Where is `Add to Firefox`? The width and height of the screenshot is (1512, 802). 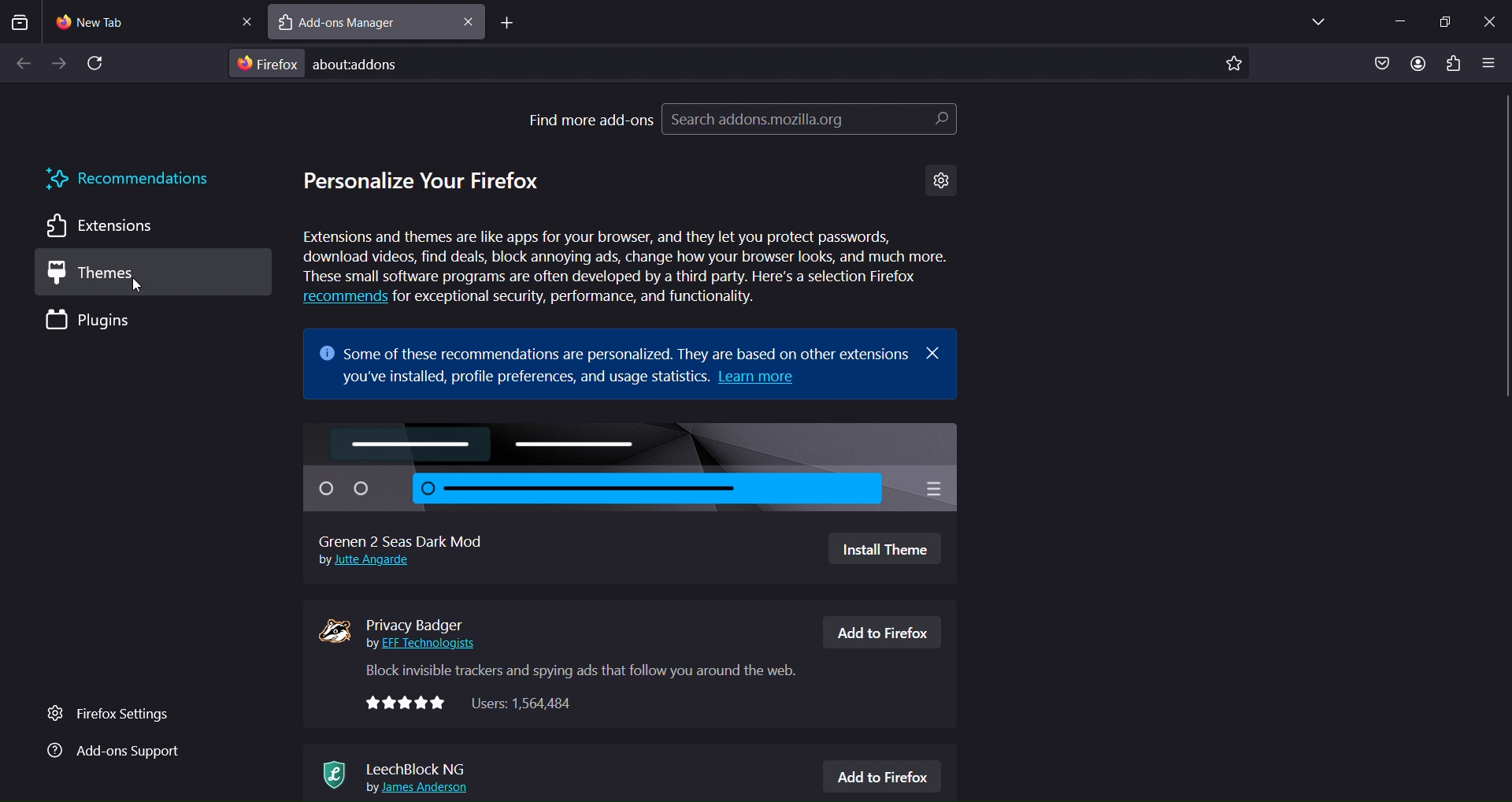
Add to Firefox is located at coordinates (882, 633).